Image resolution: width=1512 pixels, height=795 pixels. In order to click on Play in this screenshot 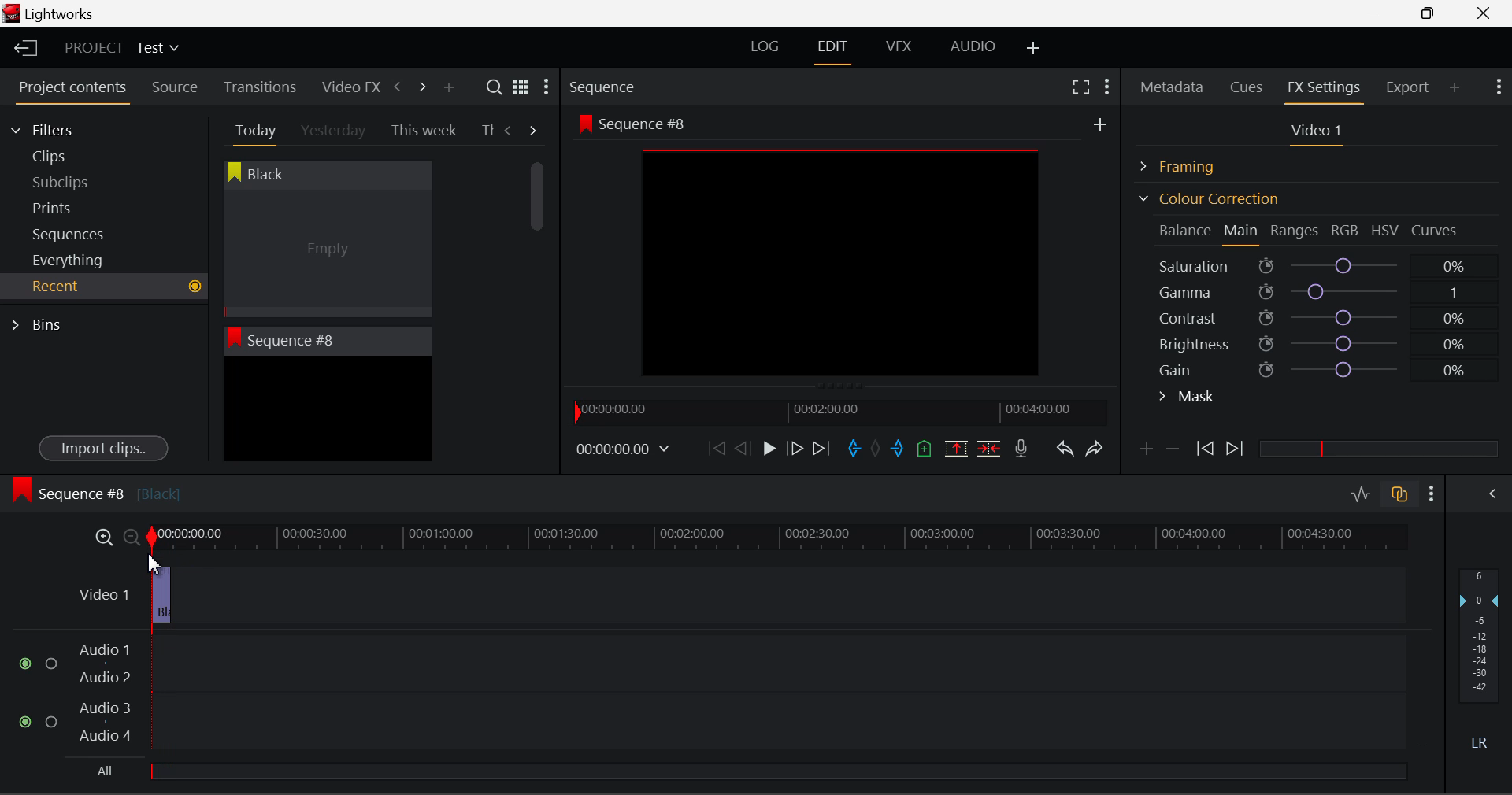, I will do `click(767, 449)`.